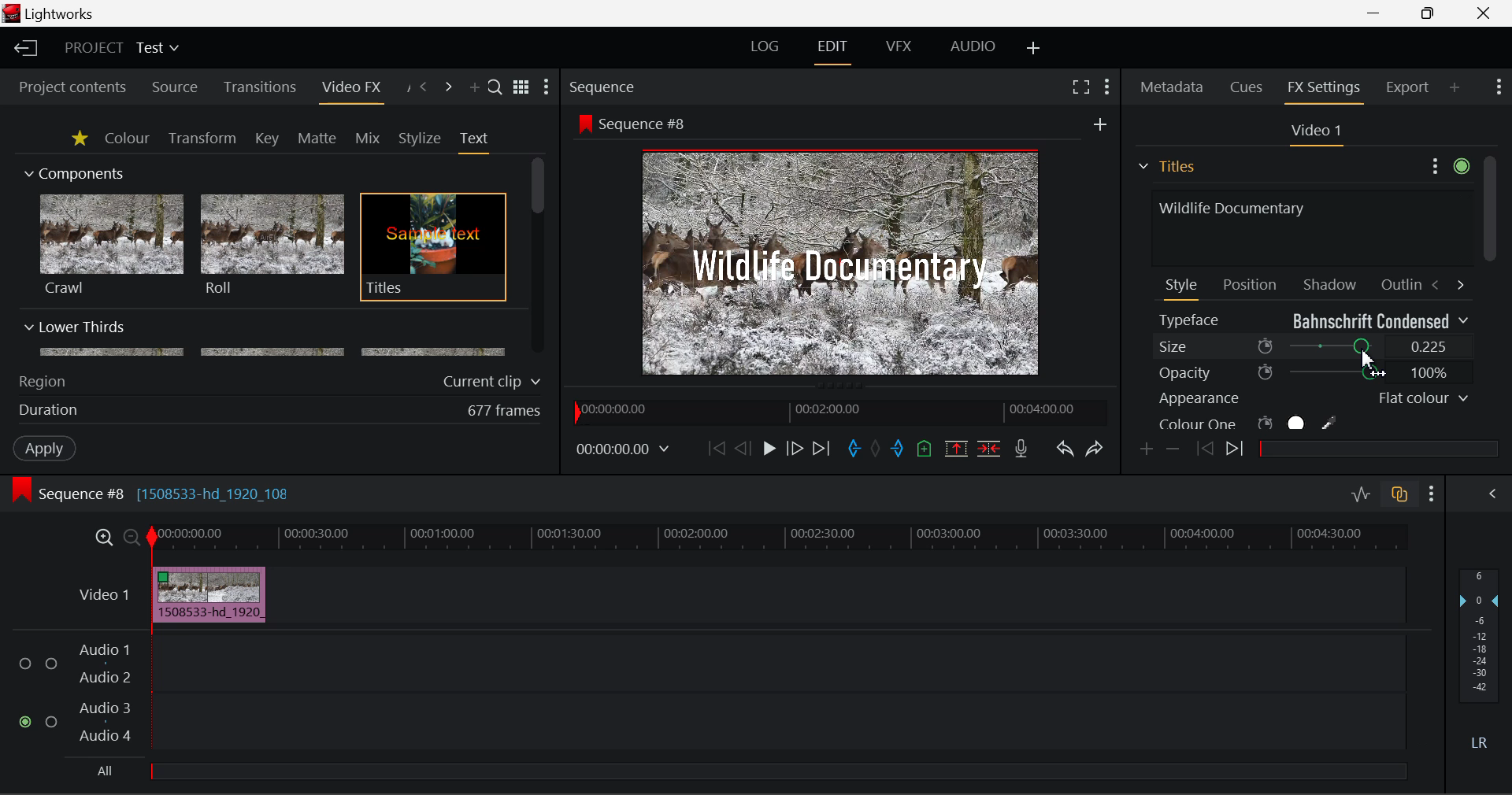  What do you see at coordinates (271, 246) in the screenshot?
I see `Roll` at bounding box center [271, 246].